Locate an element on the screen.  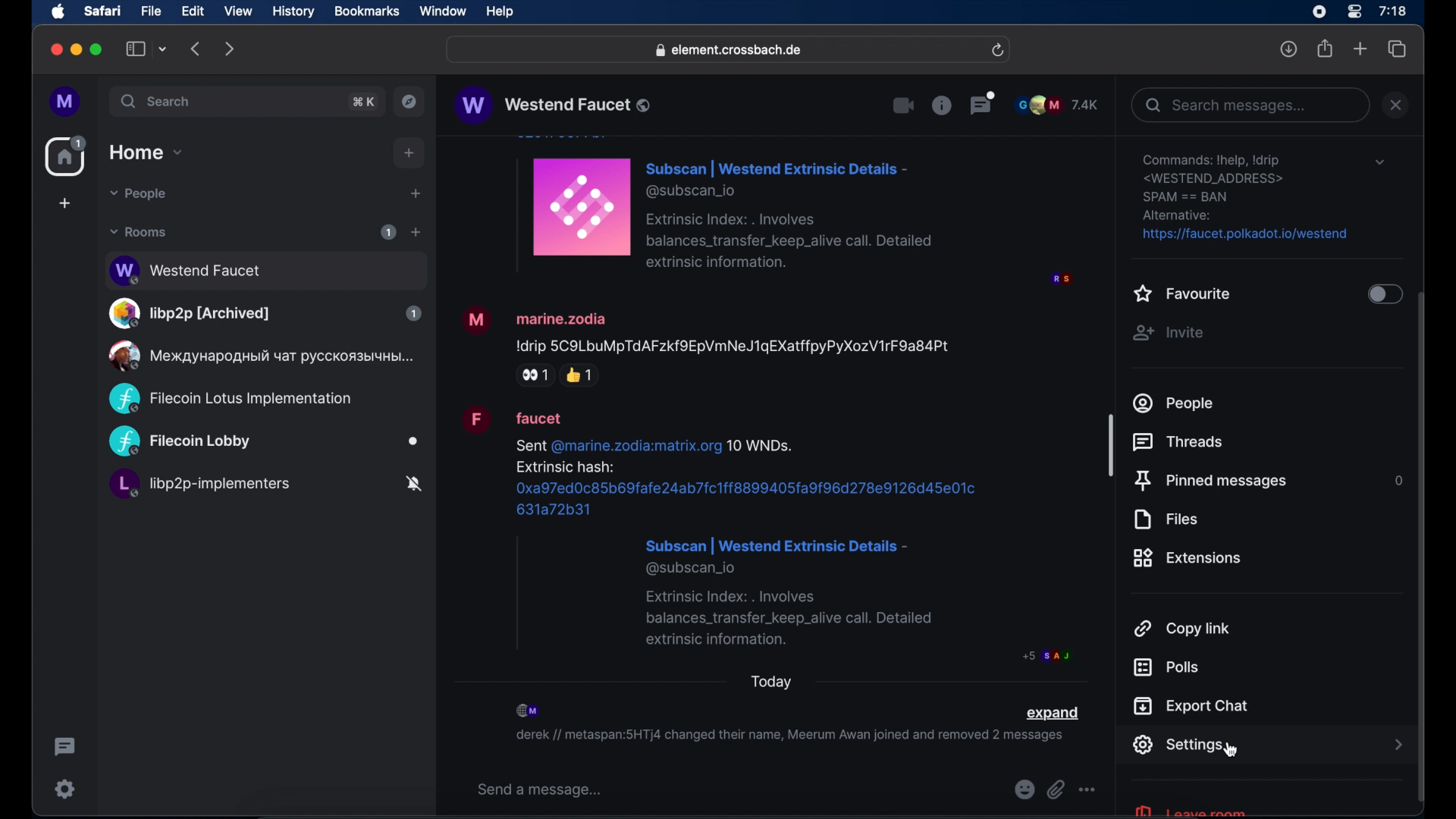
0 is located at coordinates (1396, 480).